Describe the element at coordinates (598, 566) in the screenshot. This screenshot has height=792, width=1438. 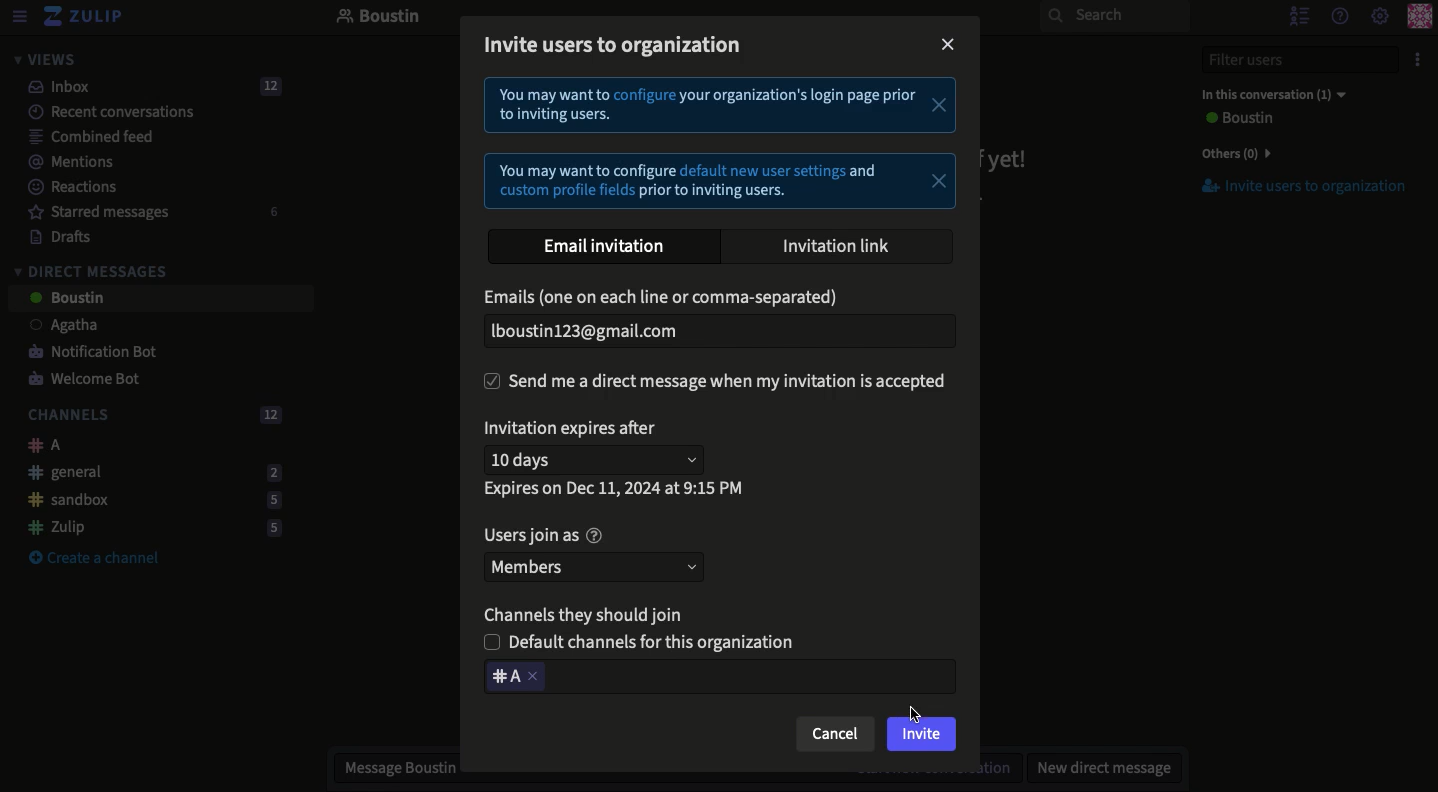
I see `Members` at that location.